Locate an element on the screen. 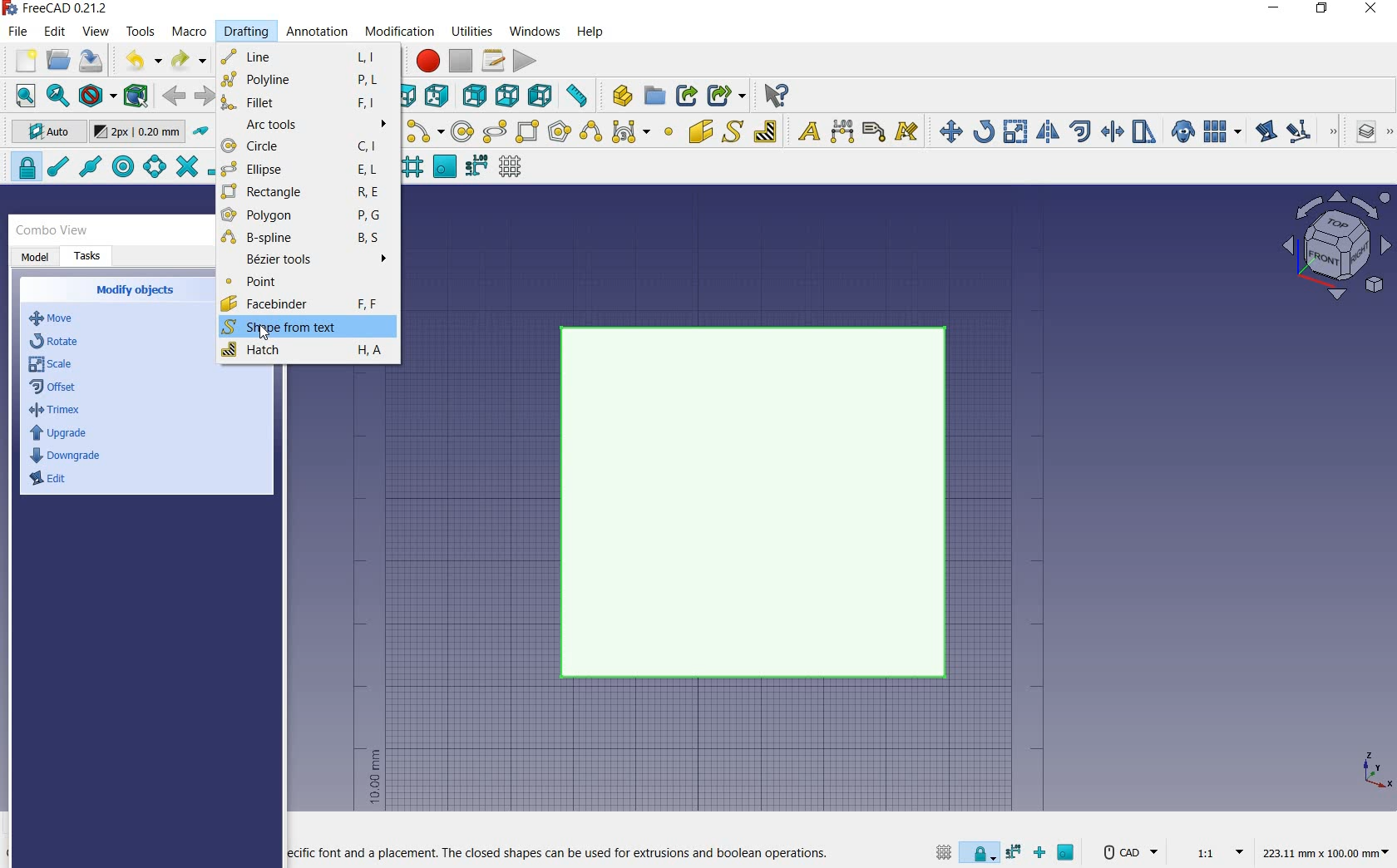 This screenshot has height=868, width=1397. windows is located at coordinates (536, 31).